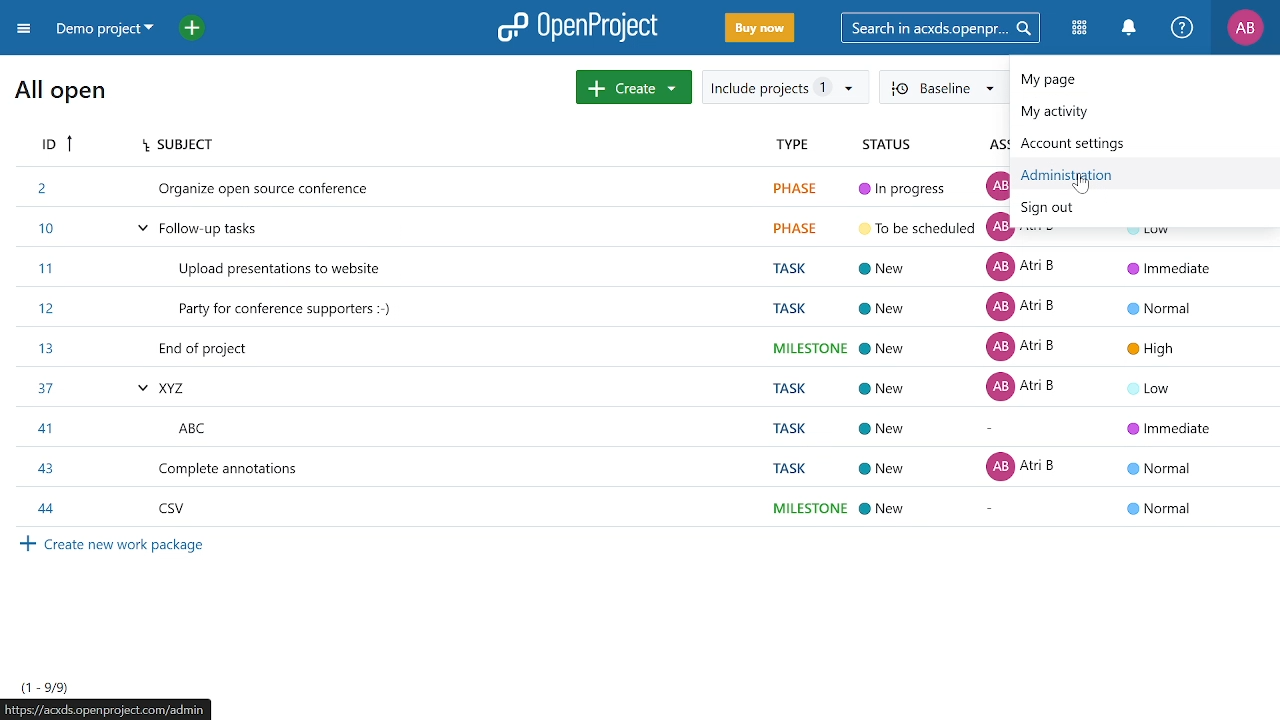 The width and height of the screenshot is (1280, 720). I want to click on task priority, so click(1163, 383).